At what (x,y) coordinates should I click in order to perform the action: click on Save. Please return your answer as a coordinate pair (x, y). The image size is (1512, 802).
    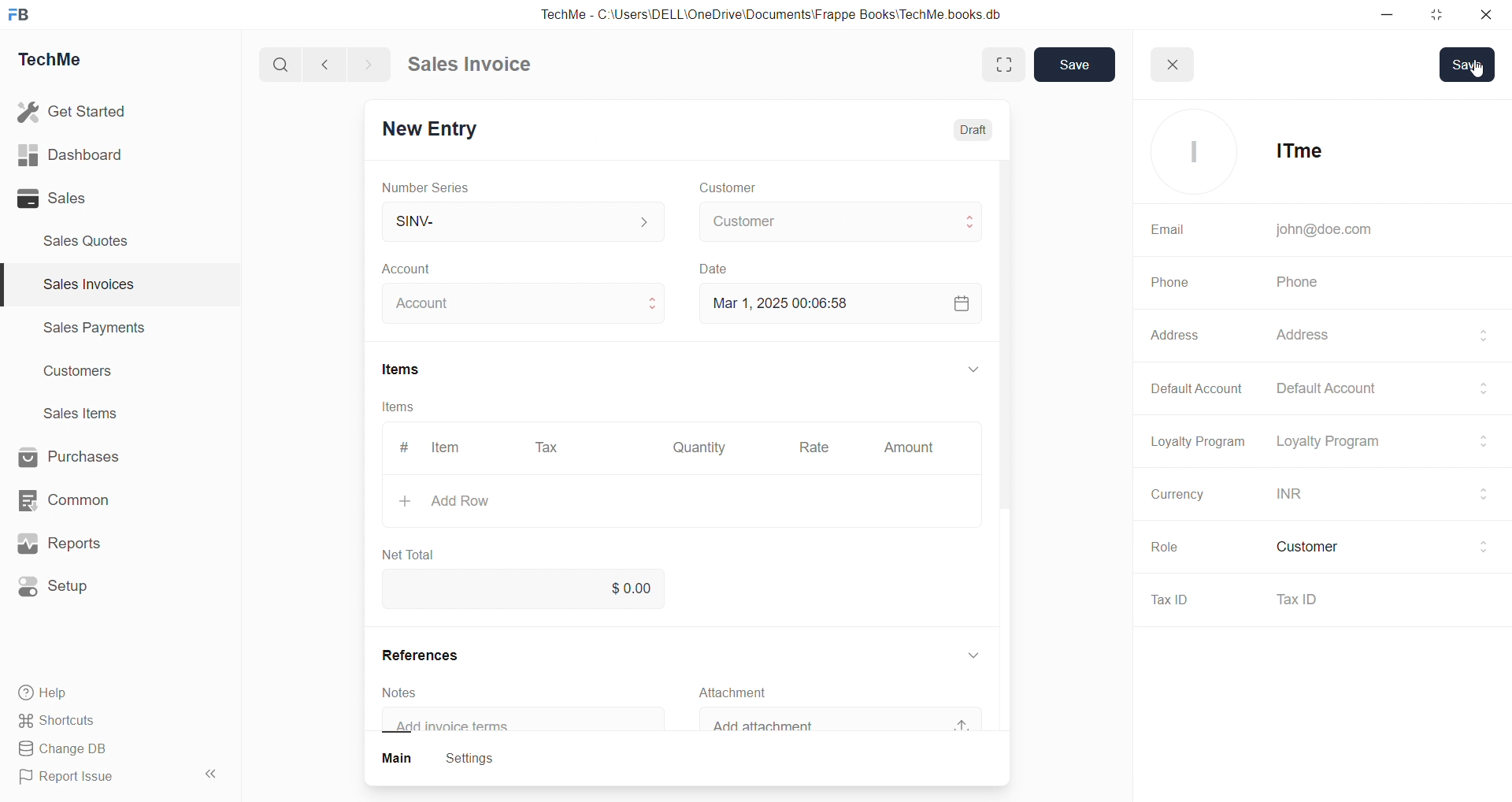
    Looking at the image, I should click on (1467, 65).